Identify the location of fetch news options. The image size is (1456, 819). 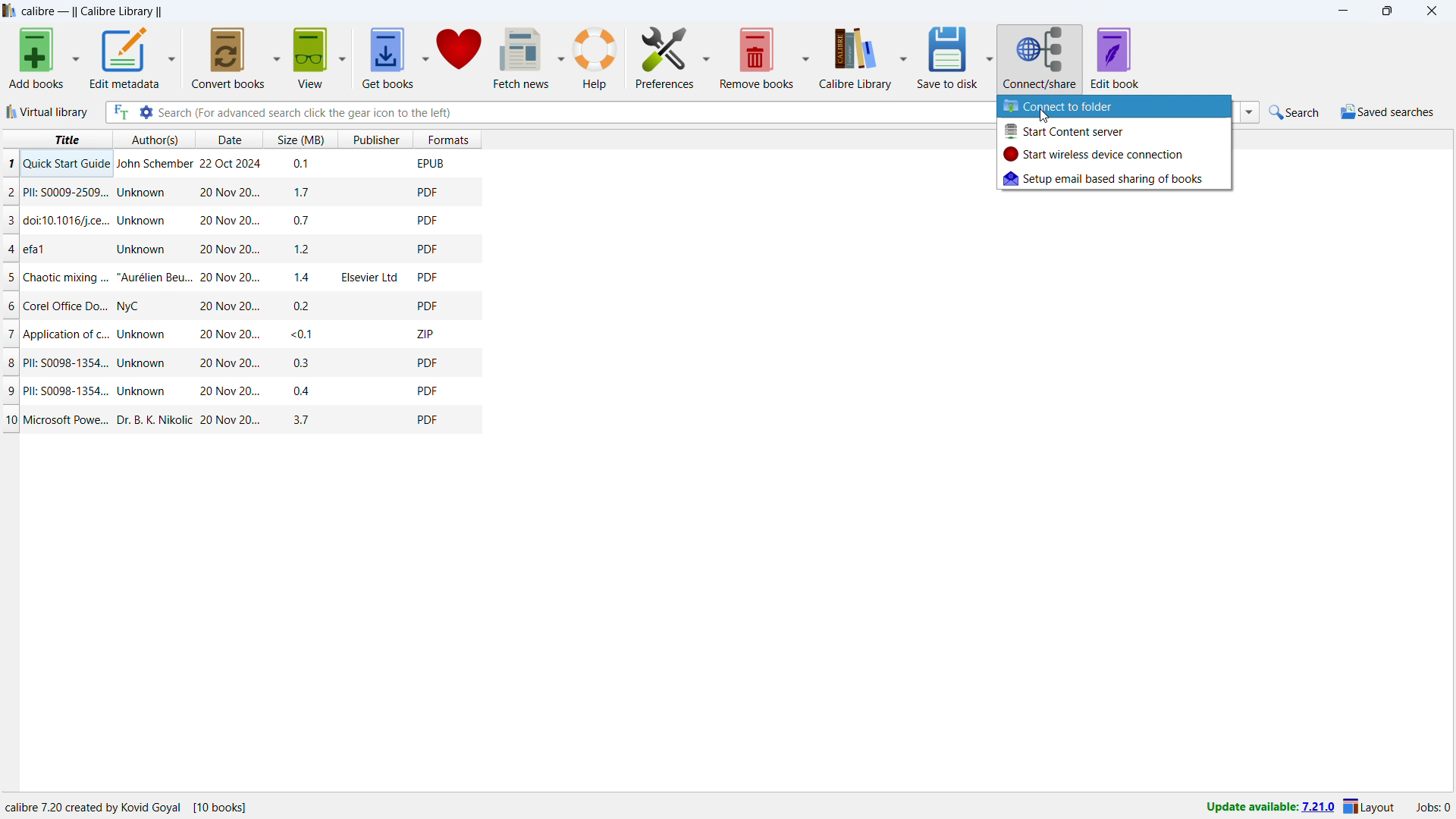
(561, 56).